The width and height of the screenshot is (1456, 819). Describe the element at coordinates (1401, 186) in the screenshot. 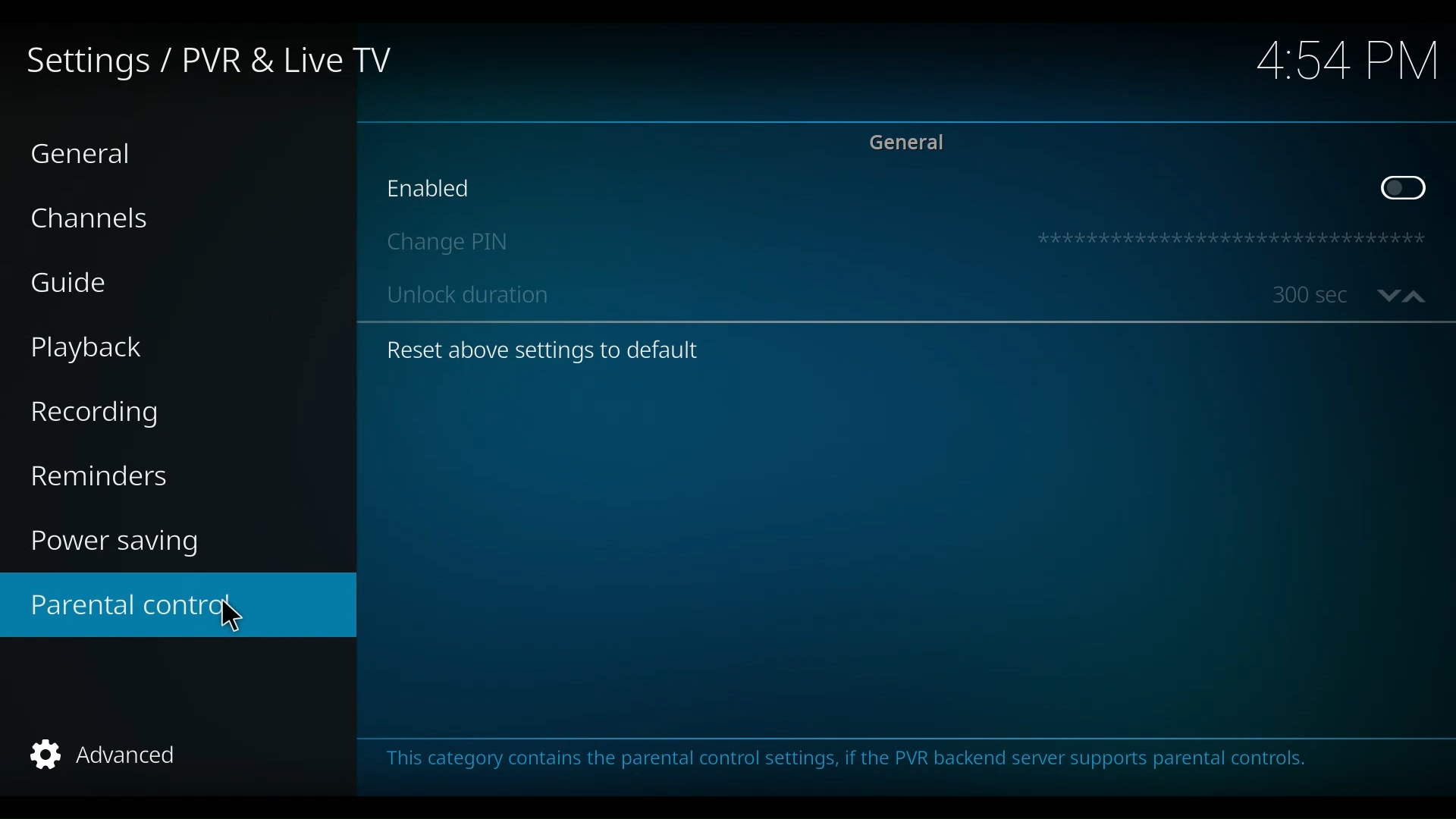

I see `Toggle on/off` at that location.